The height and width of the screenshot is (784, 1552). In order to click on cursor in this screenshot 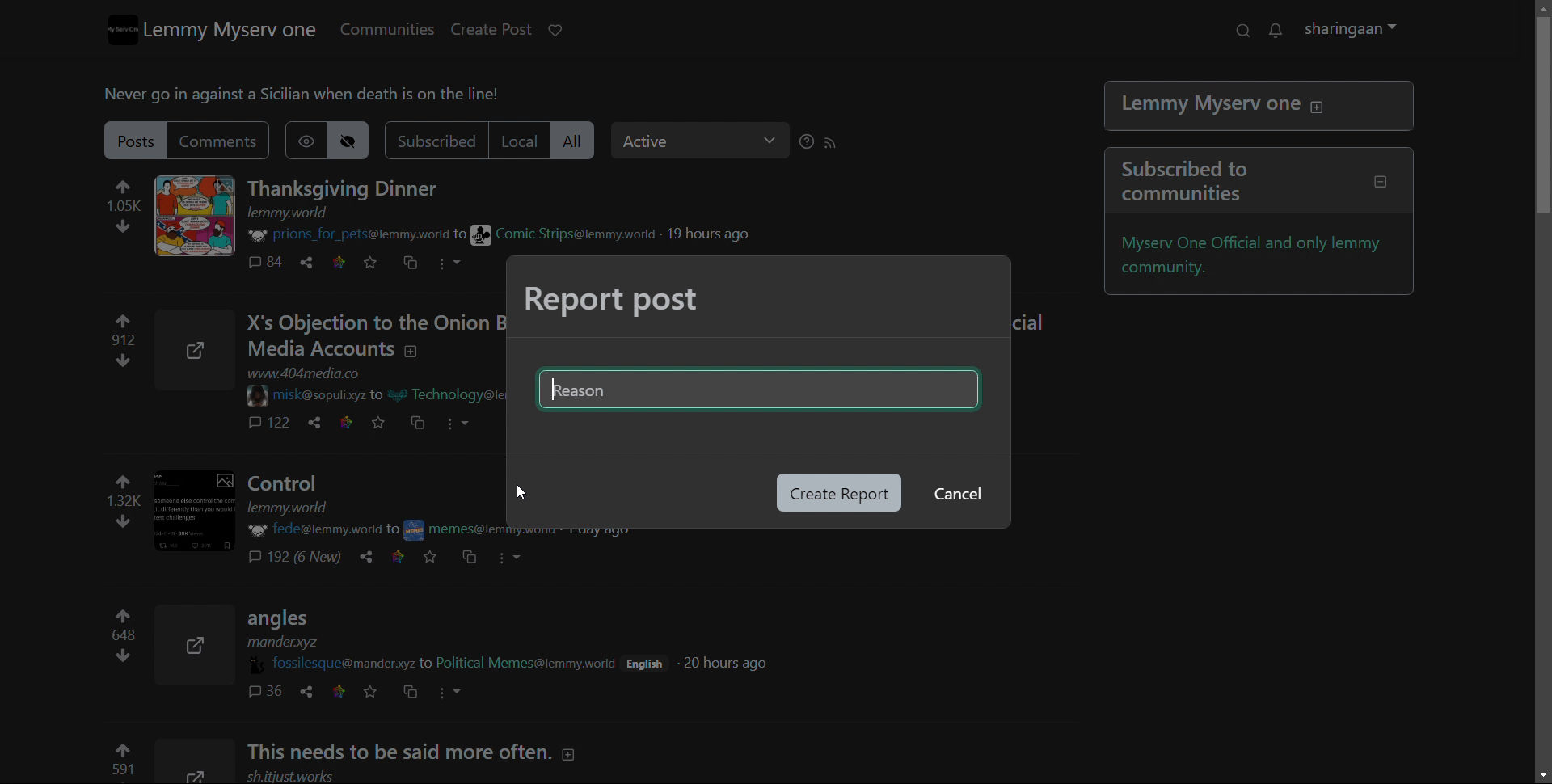, I will do `click(523, 493)`.